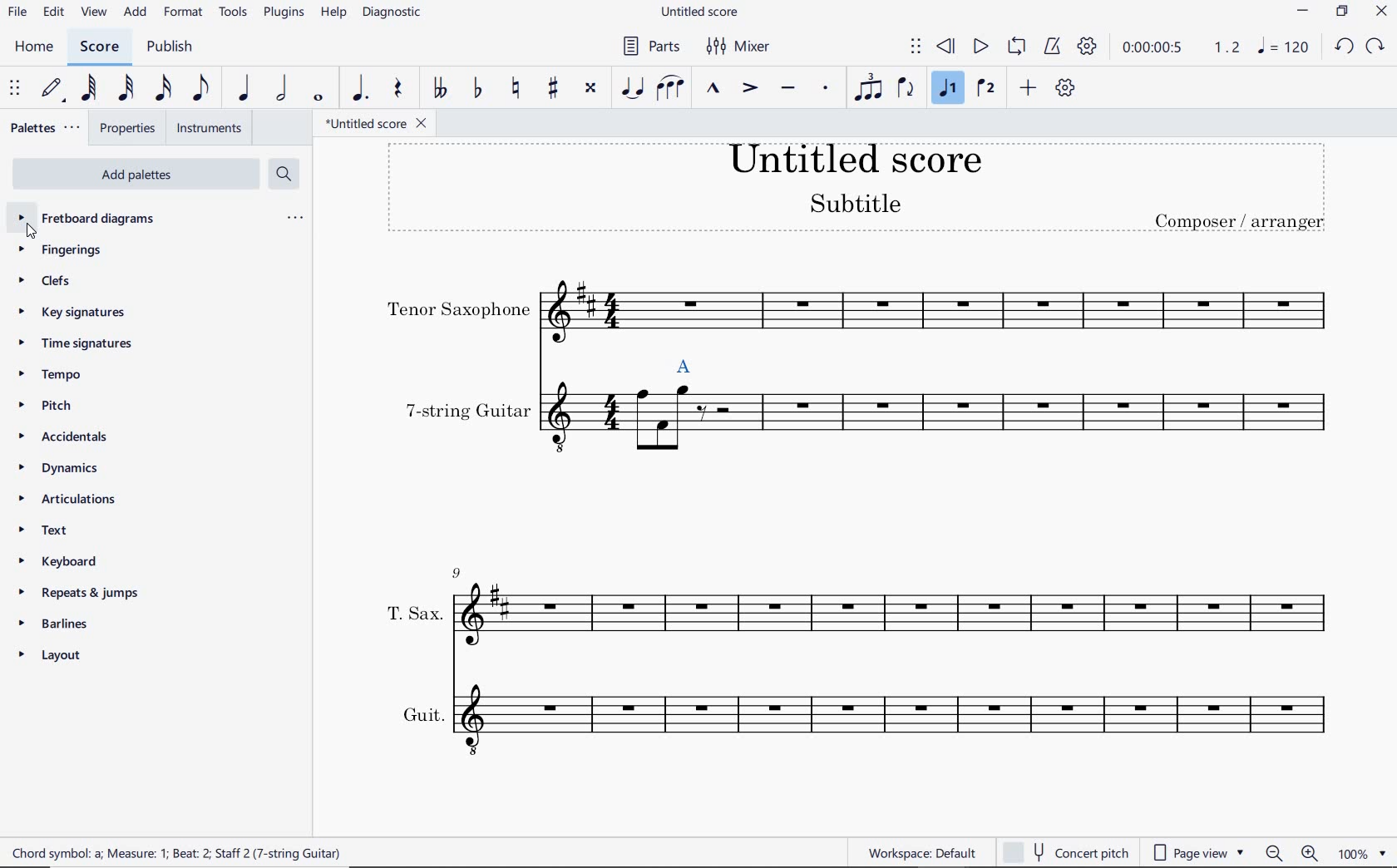 The width and height of the screenshot is (1397, 868). I want to click on PARTS, so click(649, 47).